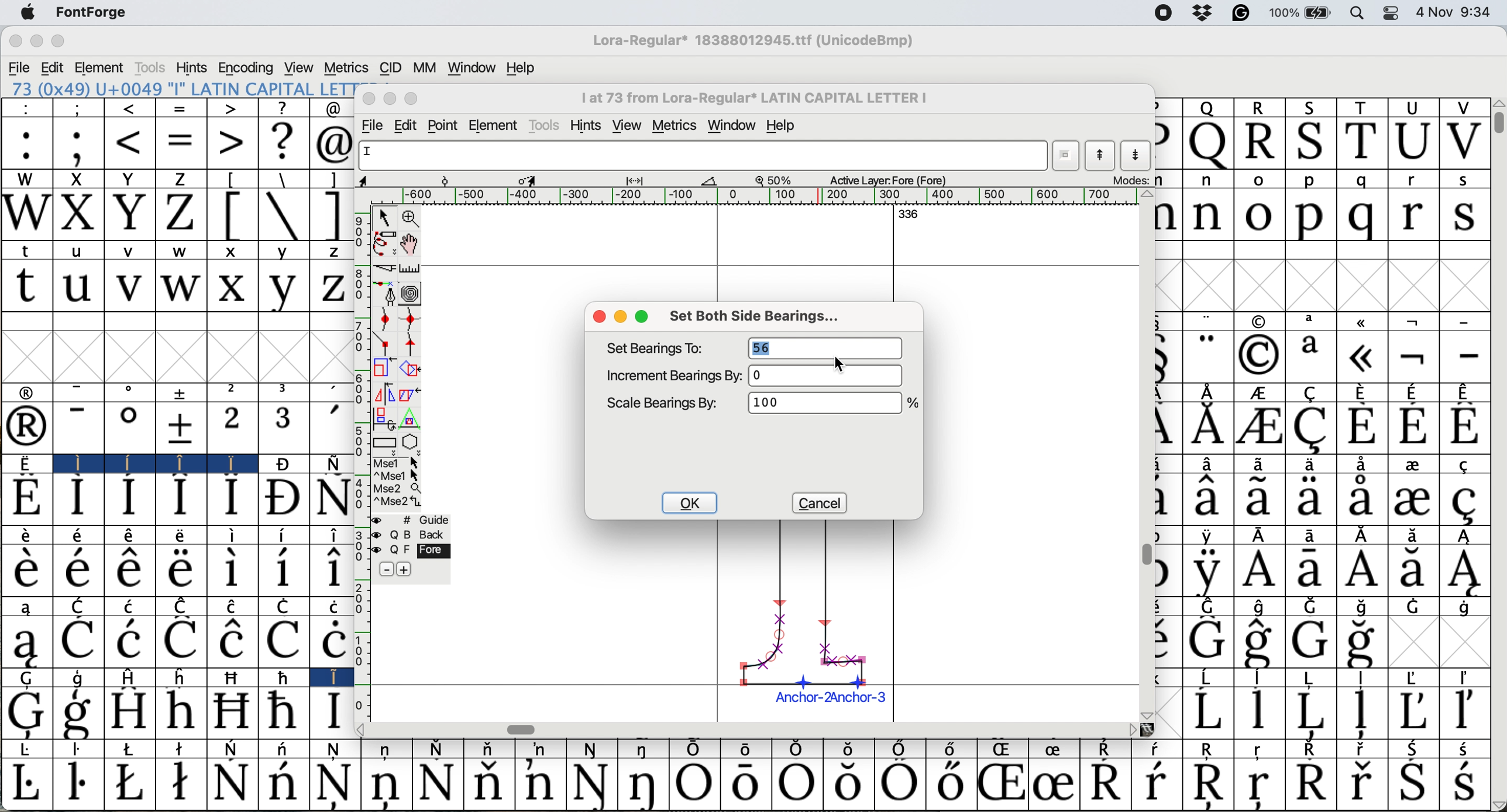 The height and width of the screenshot is (812, 1507). Describe the element at coordinates (80, 713) in the screenshot. I see `Symbol` at that location.